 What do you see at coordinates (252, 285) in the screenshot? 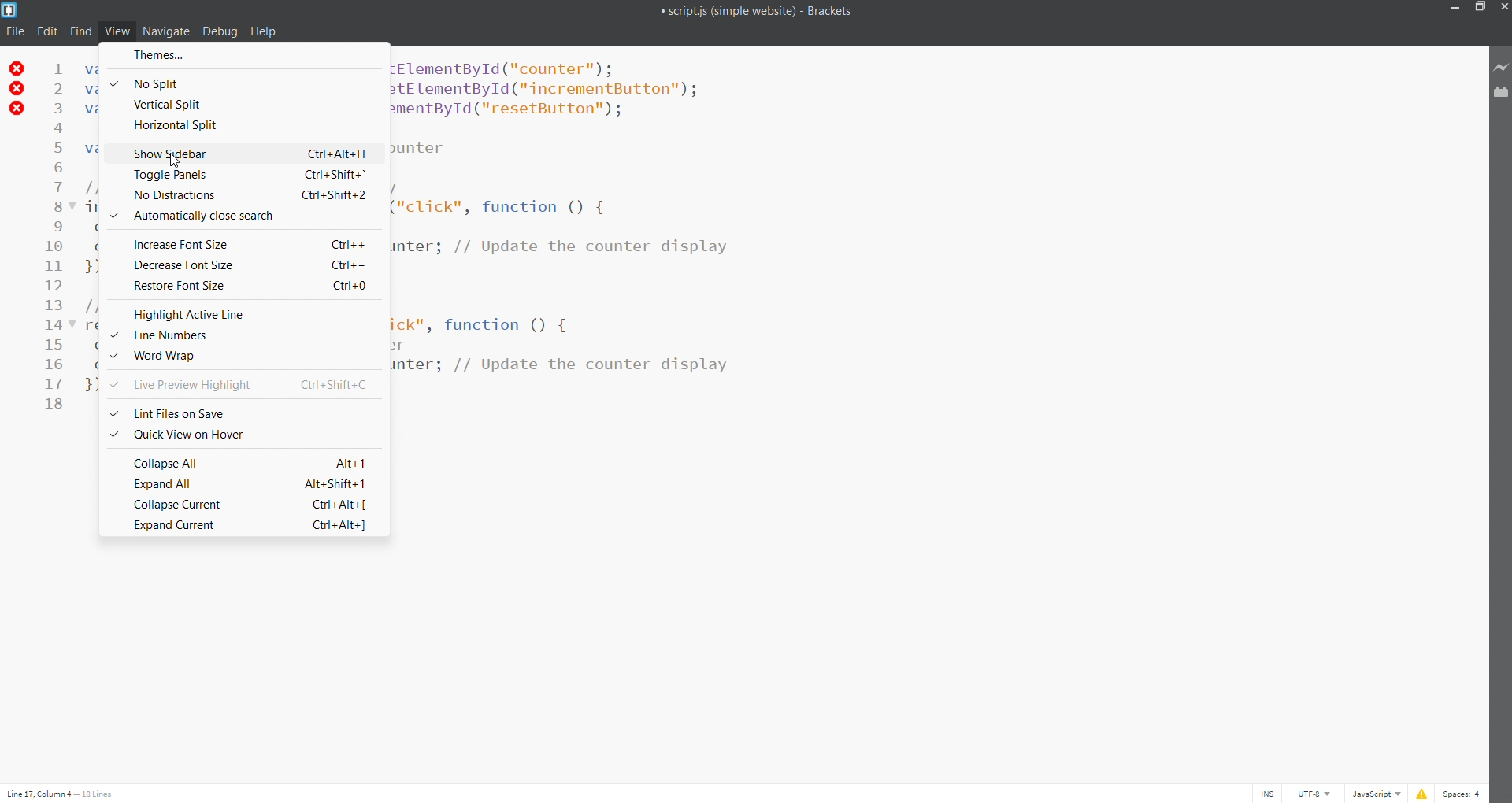
I see `restore font size` at bounding box center [252, 285].